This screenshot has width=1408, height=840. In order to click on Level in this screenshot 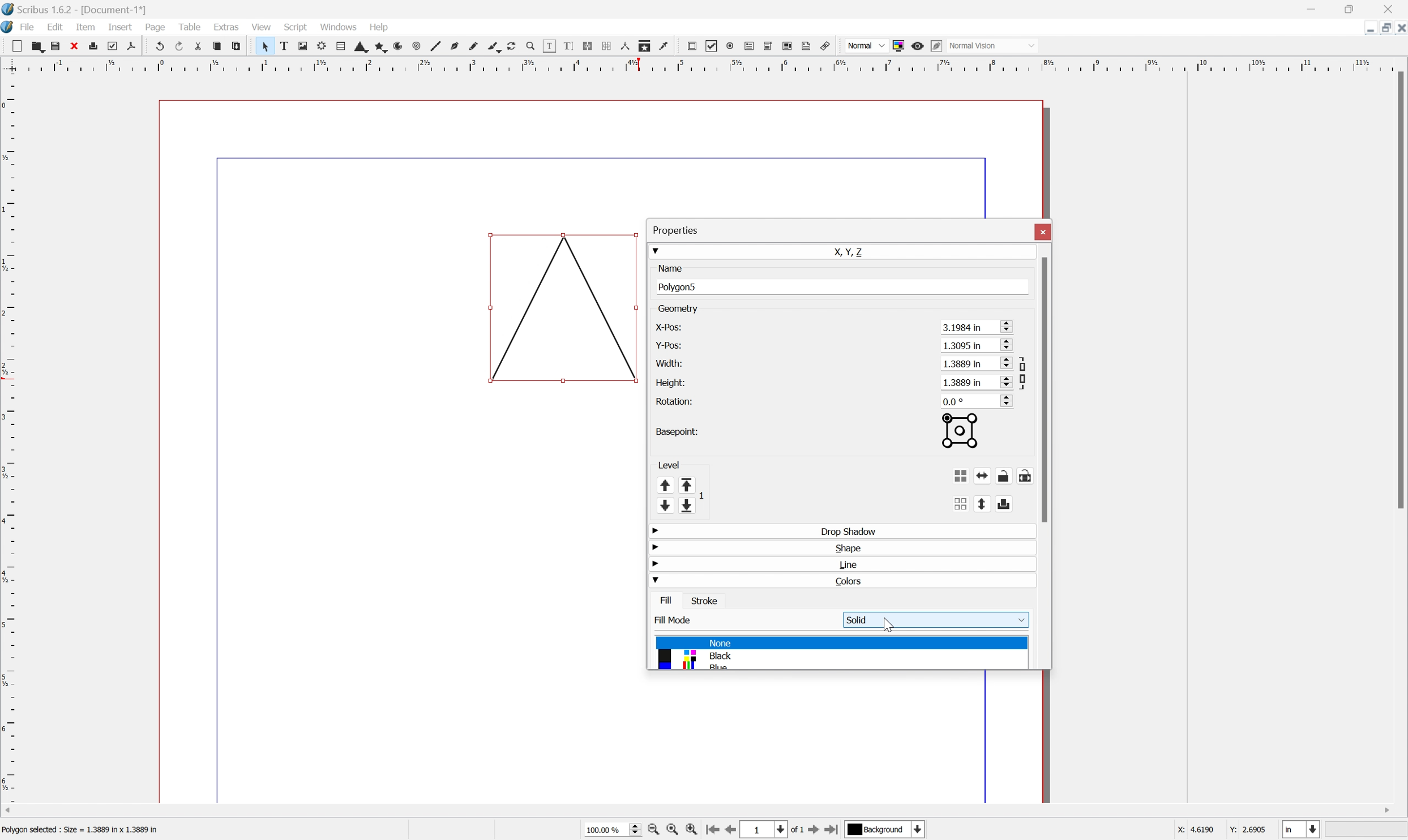, I will do `click(668, 462)`.